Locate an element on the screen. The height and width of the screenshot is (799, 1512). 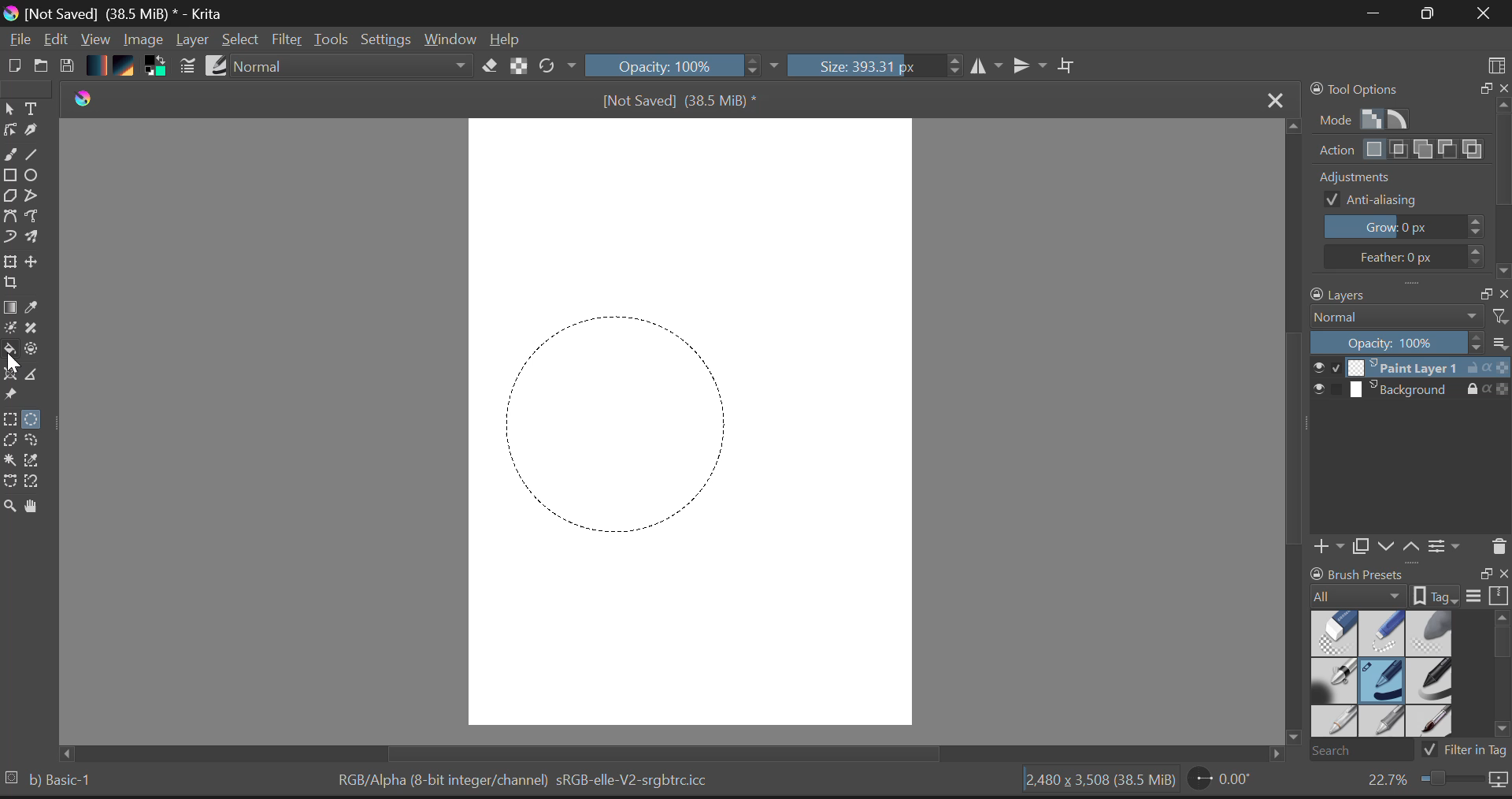
Colors in use is located at coordinates (155, 67).